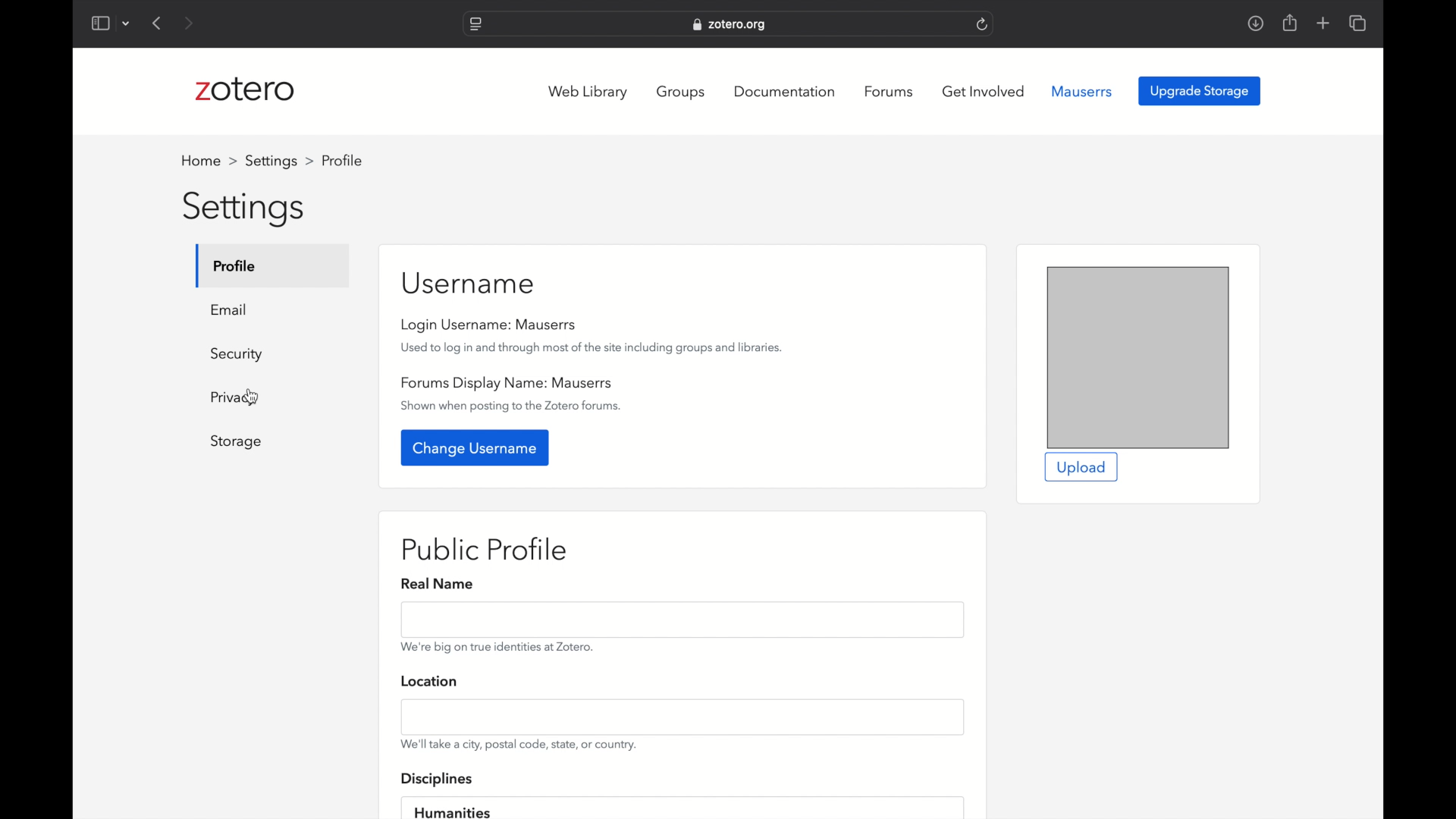  What do you see at coordinates (1200, 91) in the screenshot?
I see `upgrade  storage` at bounding box center [1200, 91].